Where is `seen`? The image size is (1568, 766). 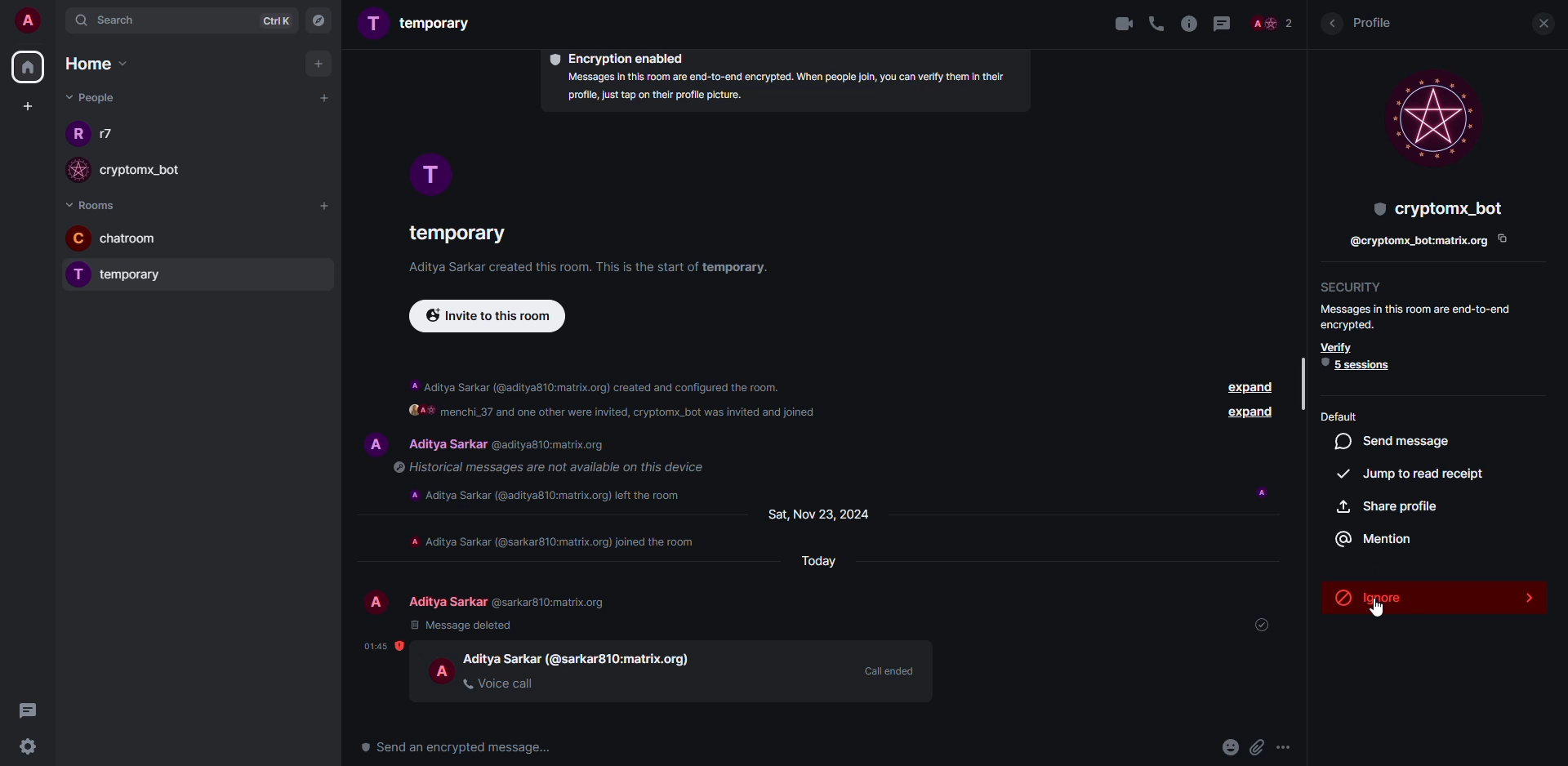 seen is located at coordinates (1263, 492).